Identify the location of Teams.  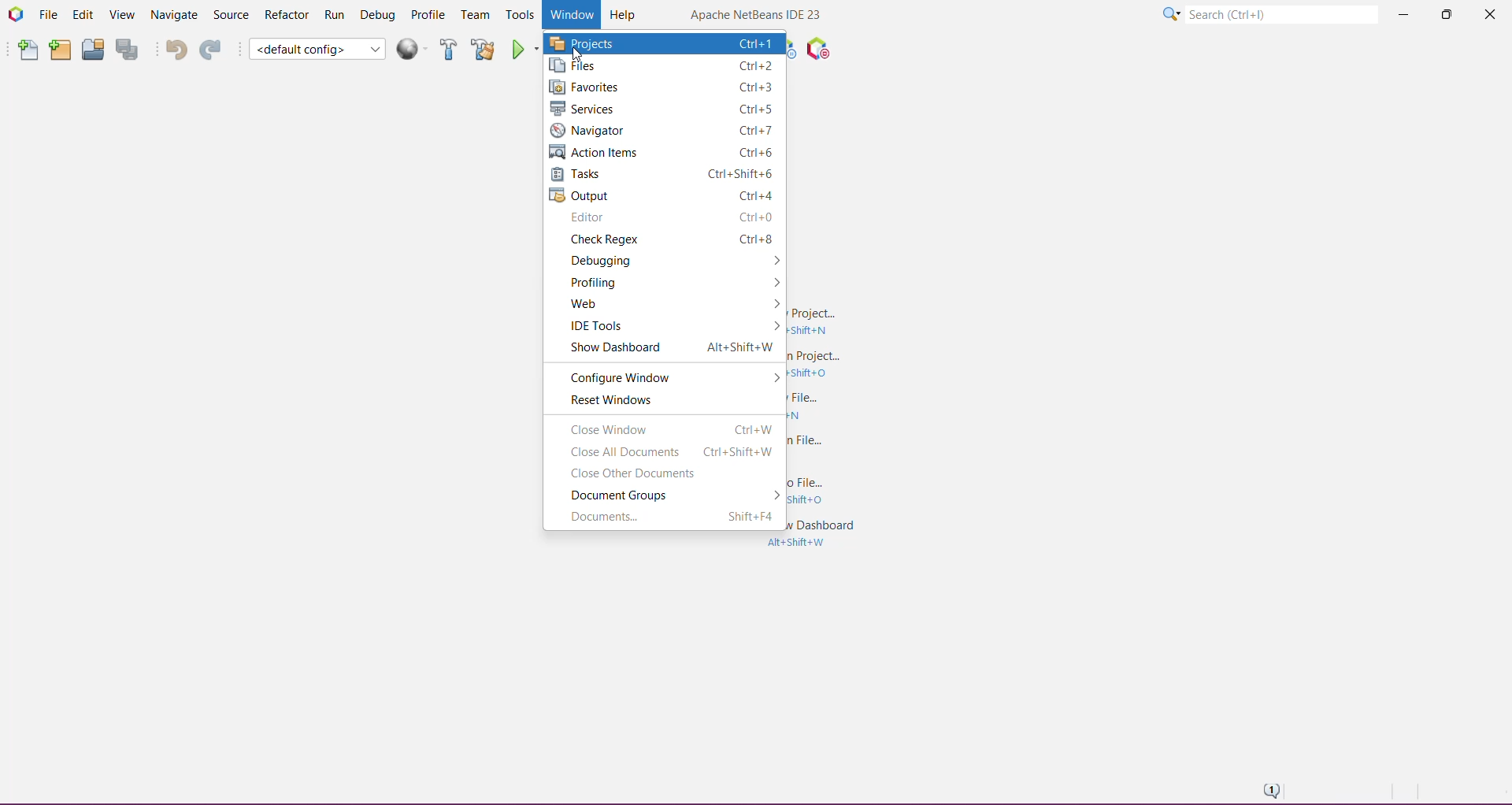
(476, 15).